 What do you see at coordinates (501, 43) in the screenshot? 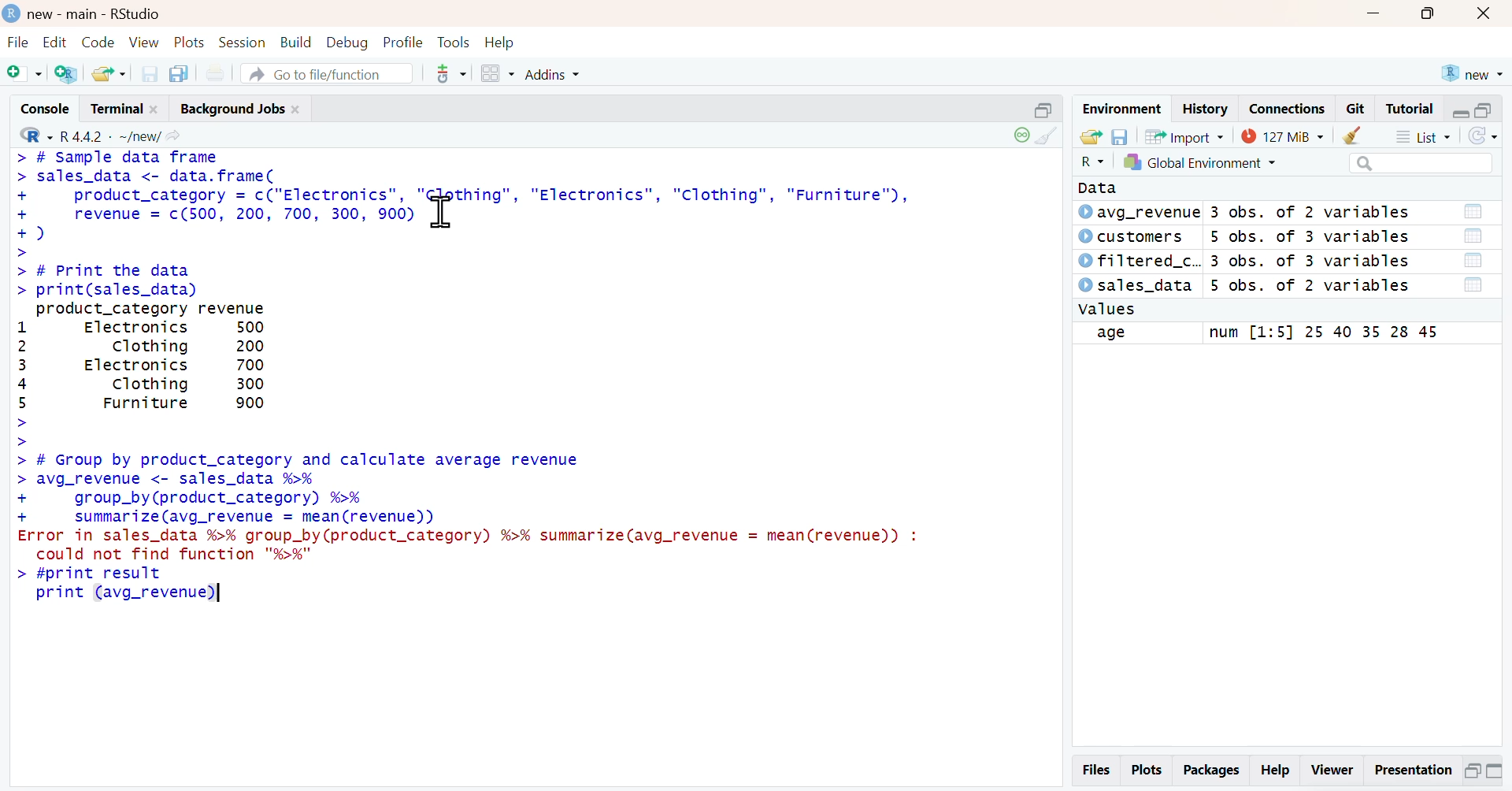
I see `Help` at bounding box center [501, 43].